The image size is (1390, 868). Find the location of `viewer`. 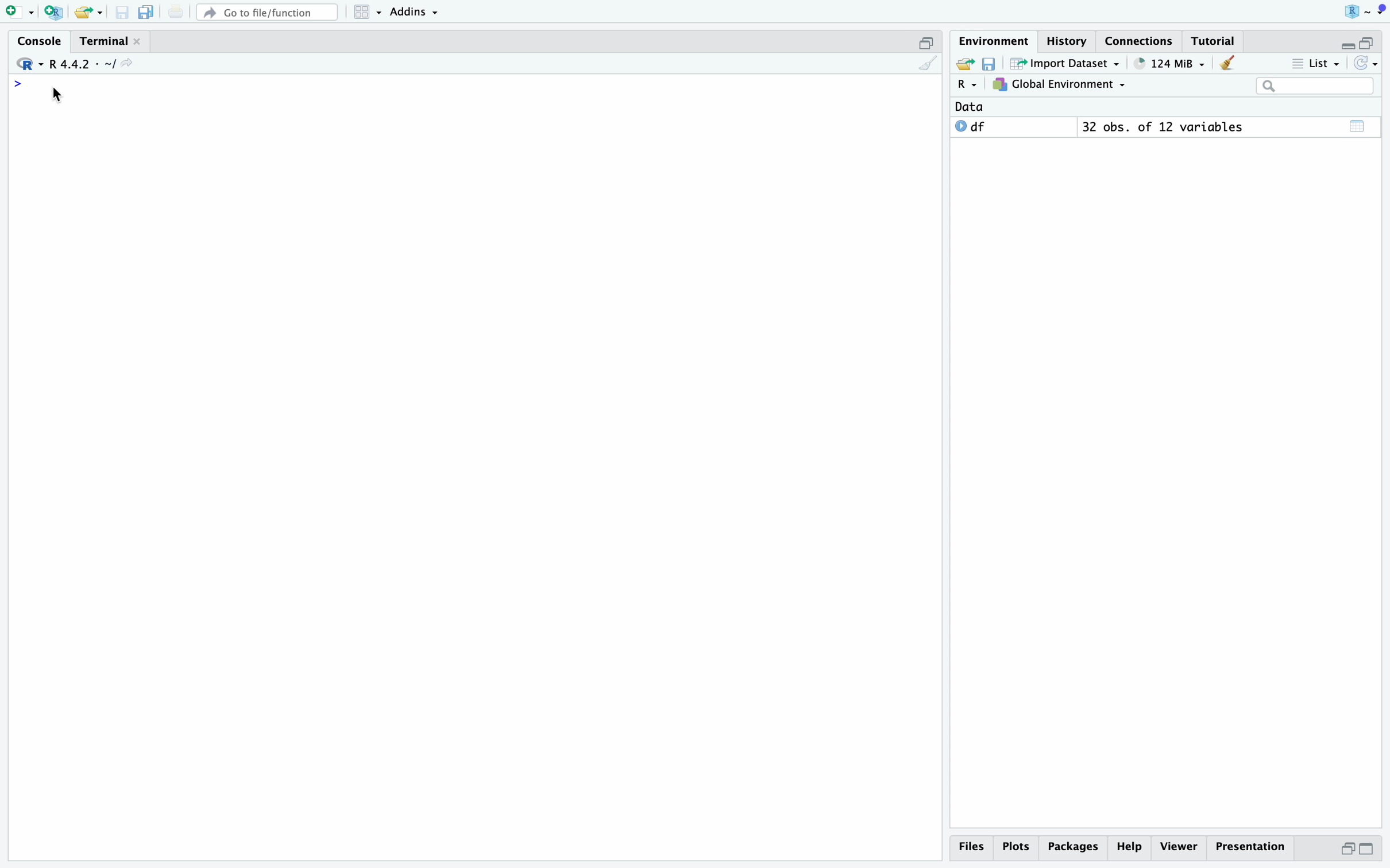

viewer is located at coordinates (1179, 847).